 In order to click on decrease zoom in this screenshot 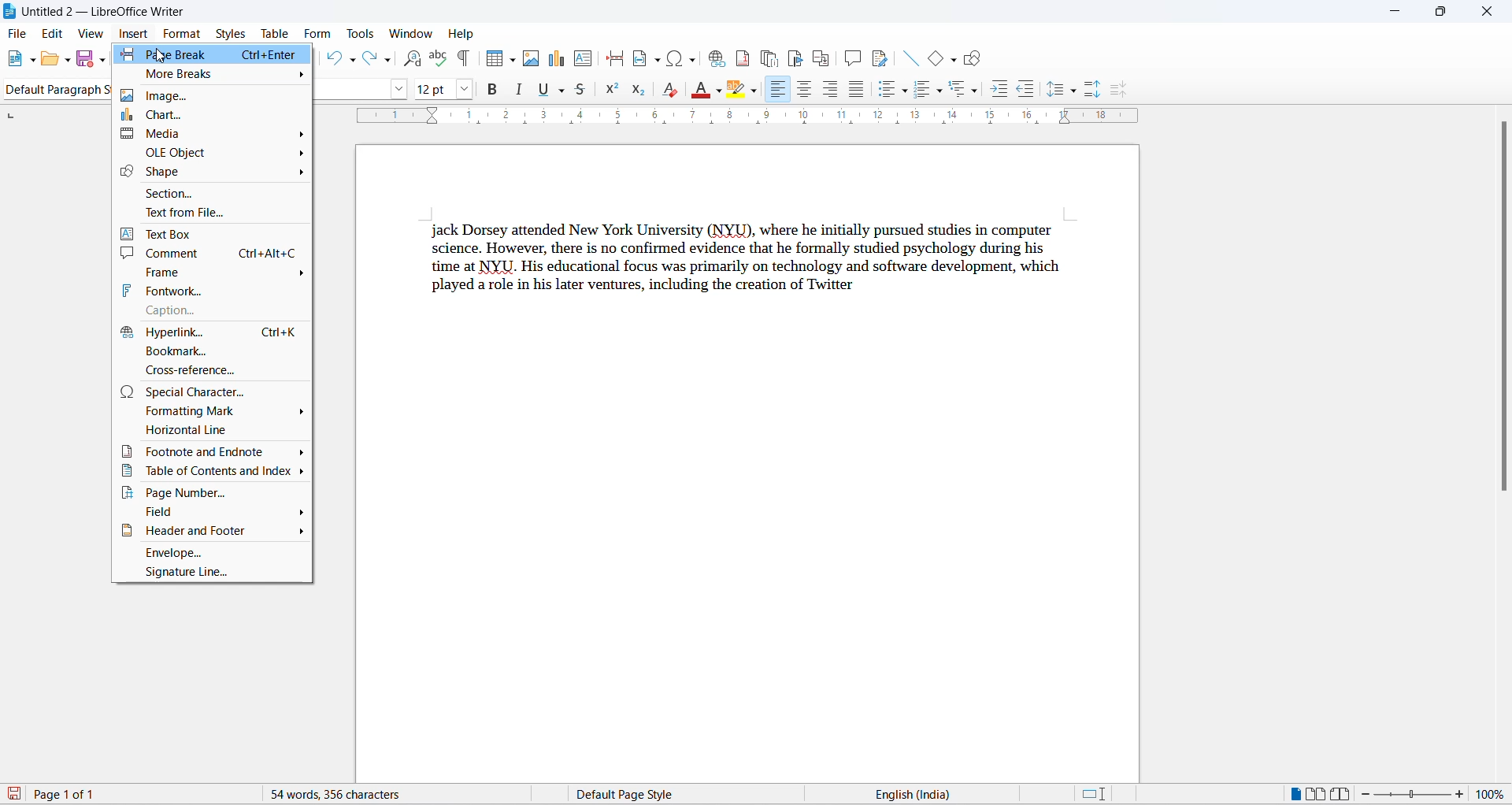, I will do `click(1370, 794)`.